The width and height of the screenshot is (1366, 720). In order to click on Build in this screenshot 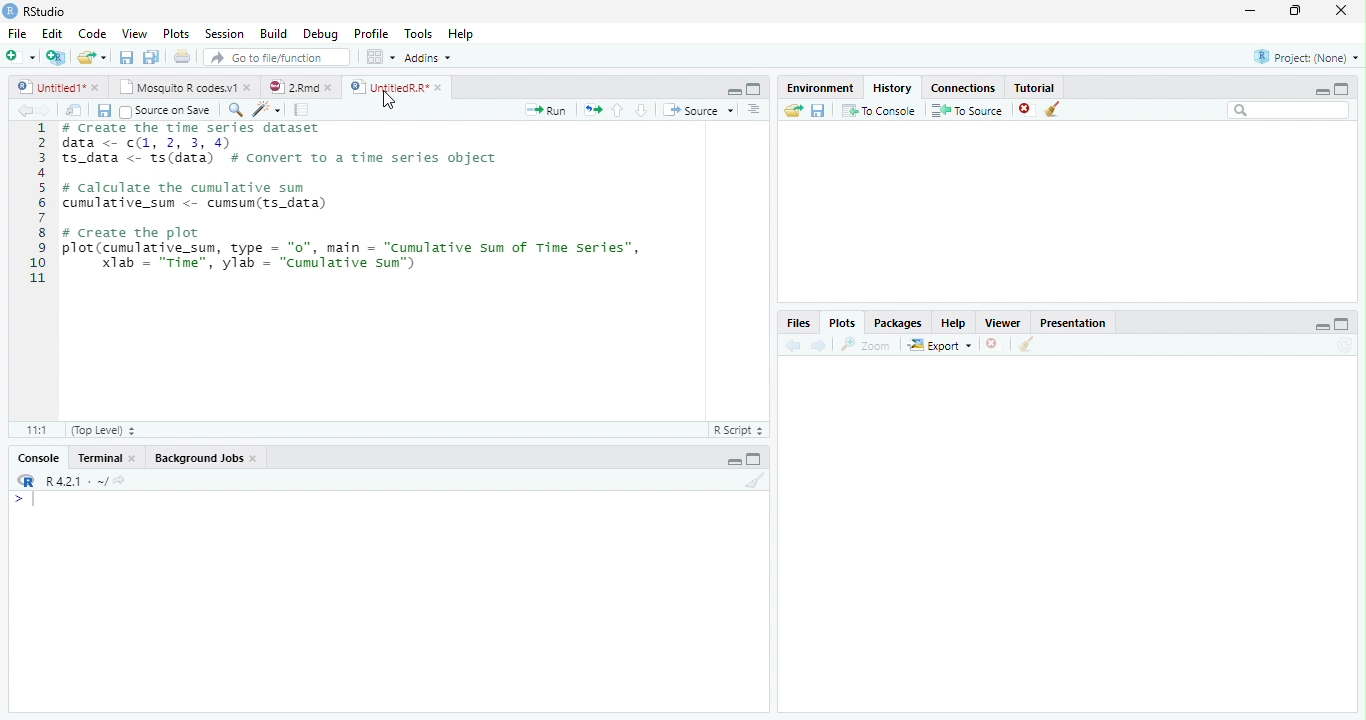, I will do `click(271, 35)`.